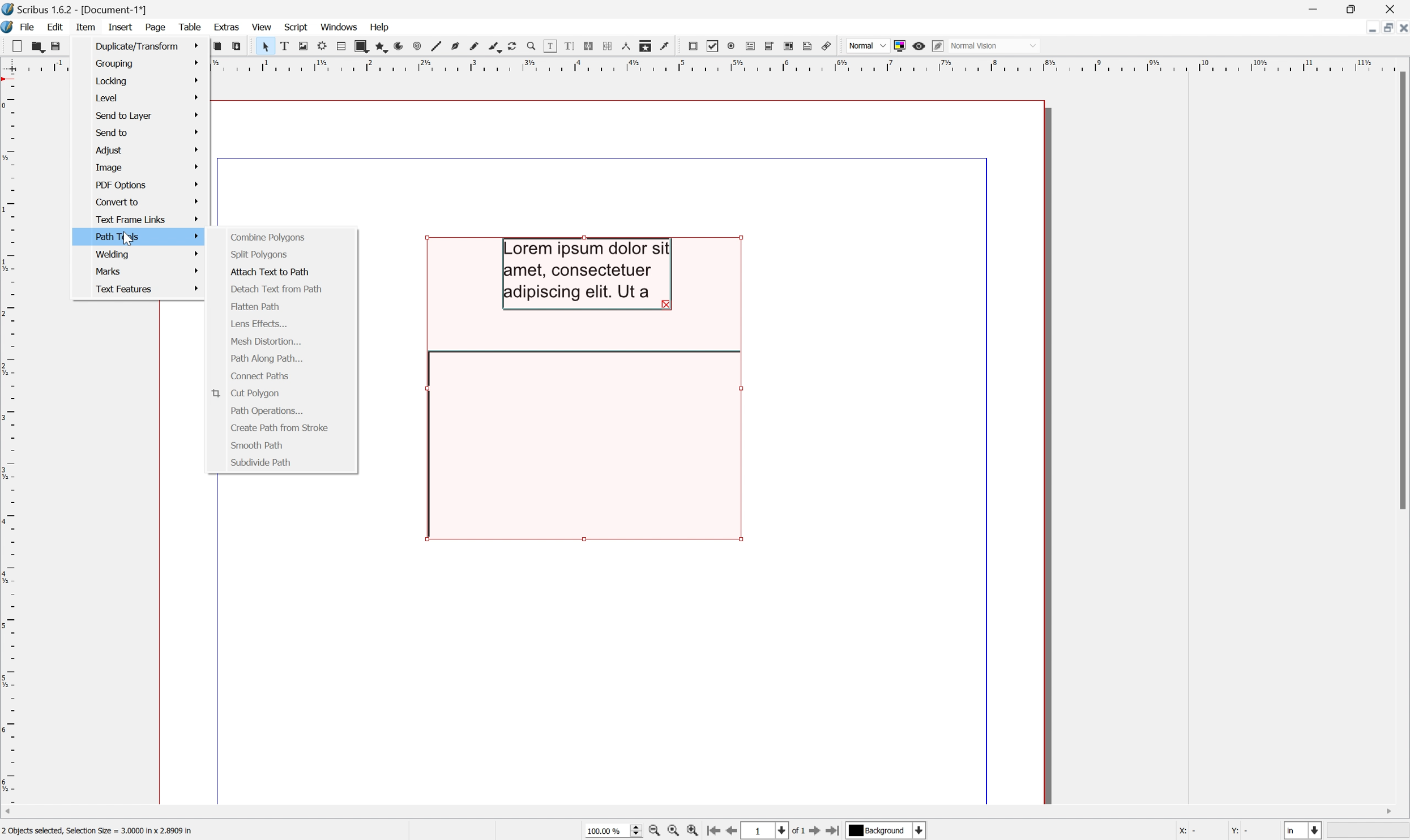 Image resolution: width=1410 pixels, height=840 pixels. I want to click on Open, so click(33, 47).